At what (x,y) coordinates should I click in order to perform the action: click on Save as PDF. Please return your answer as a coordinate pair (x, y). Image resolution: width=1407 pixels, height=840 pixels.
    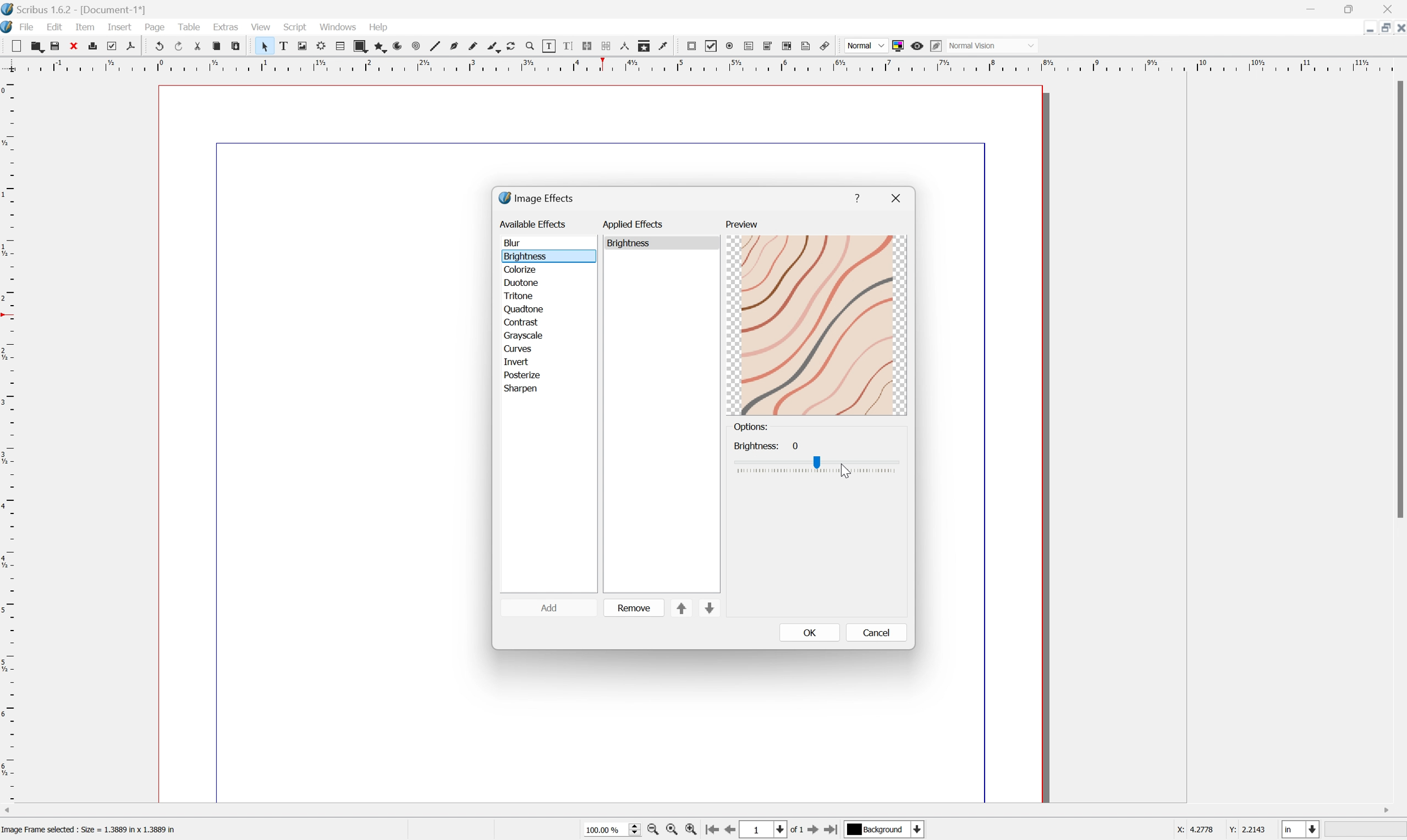
    Looking at the image, I should click on (131, 45).